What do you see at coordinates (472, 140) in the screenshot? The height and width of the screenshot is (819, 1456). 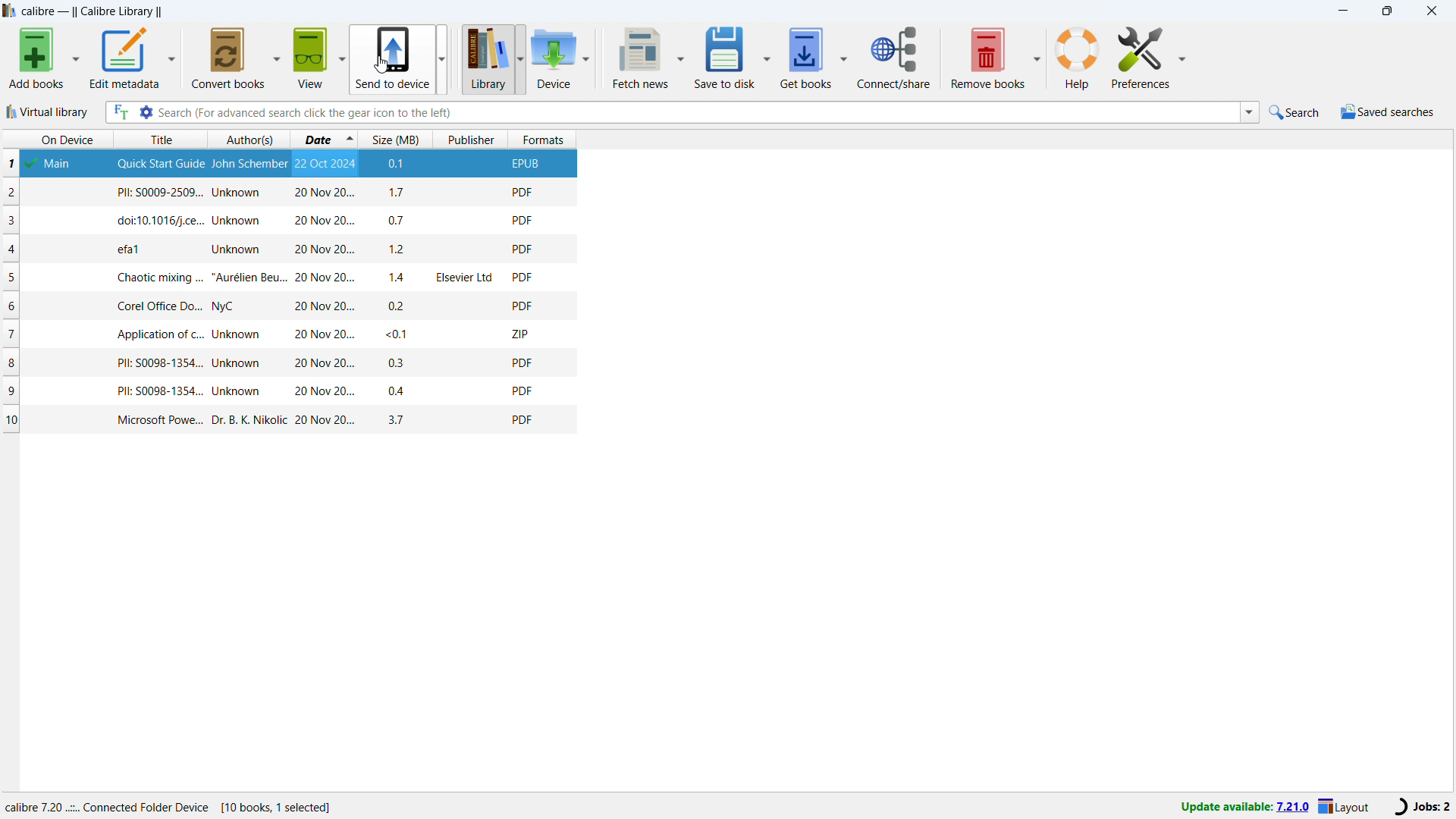 I see `sort by publisher` at bounding box center [472, 140].